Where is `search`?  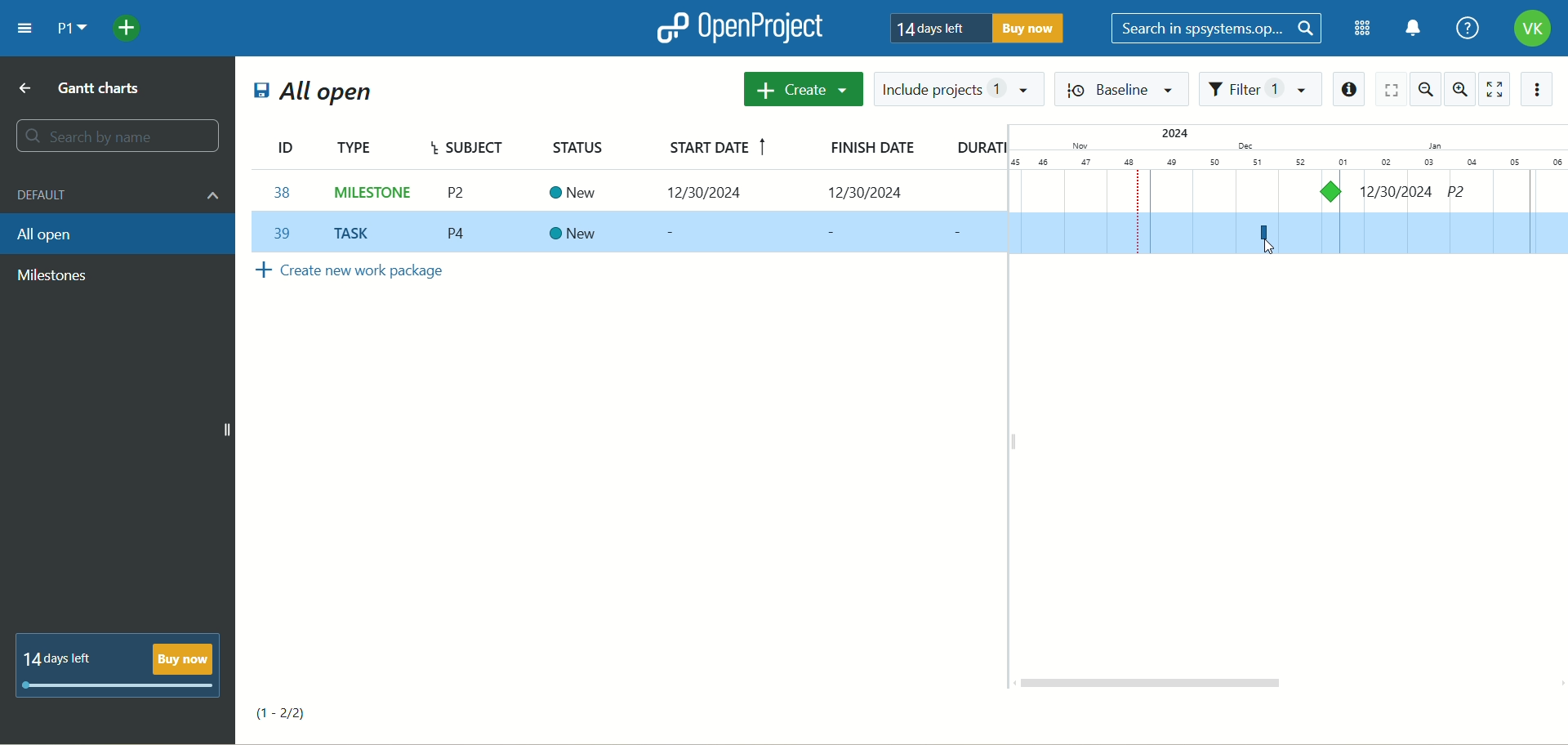 search is located at coordinates (120, 136).